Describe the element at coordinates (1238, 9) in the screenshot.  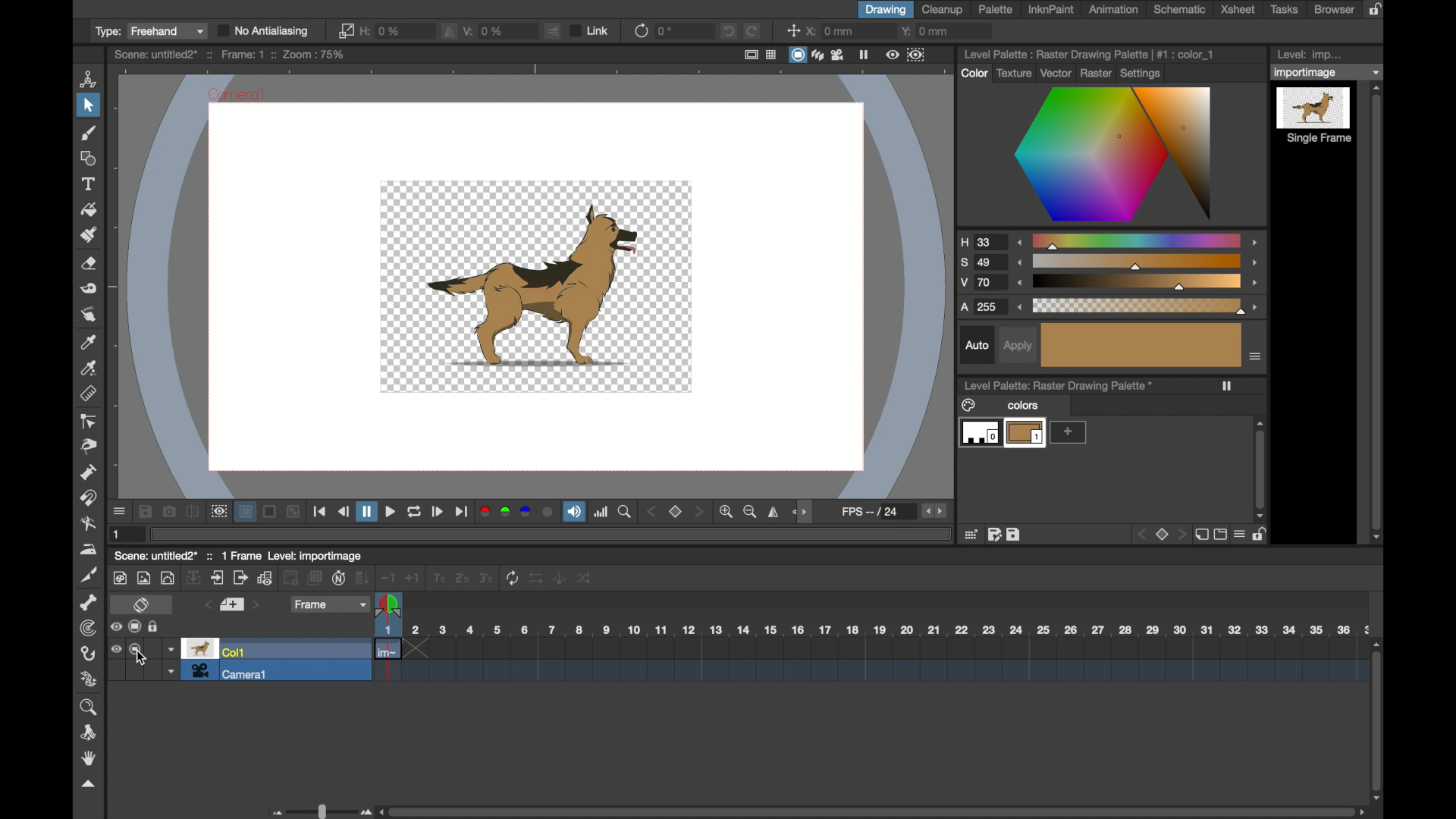
I see `xsheet` at that location.